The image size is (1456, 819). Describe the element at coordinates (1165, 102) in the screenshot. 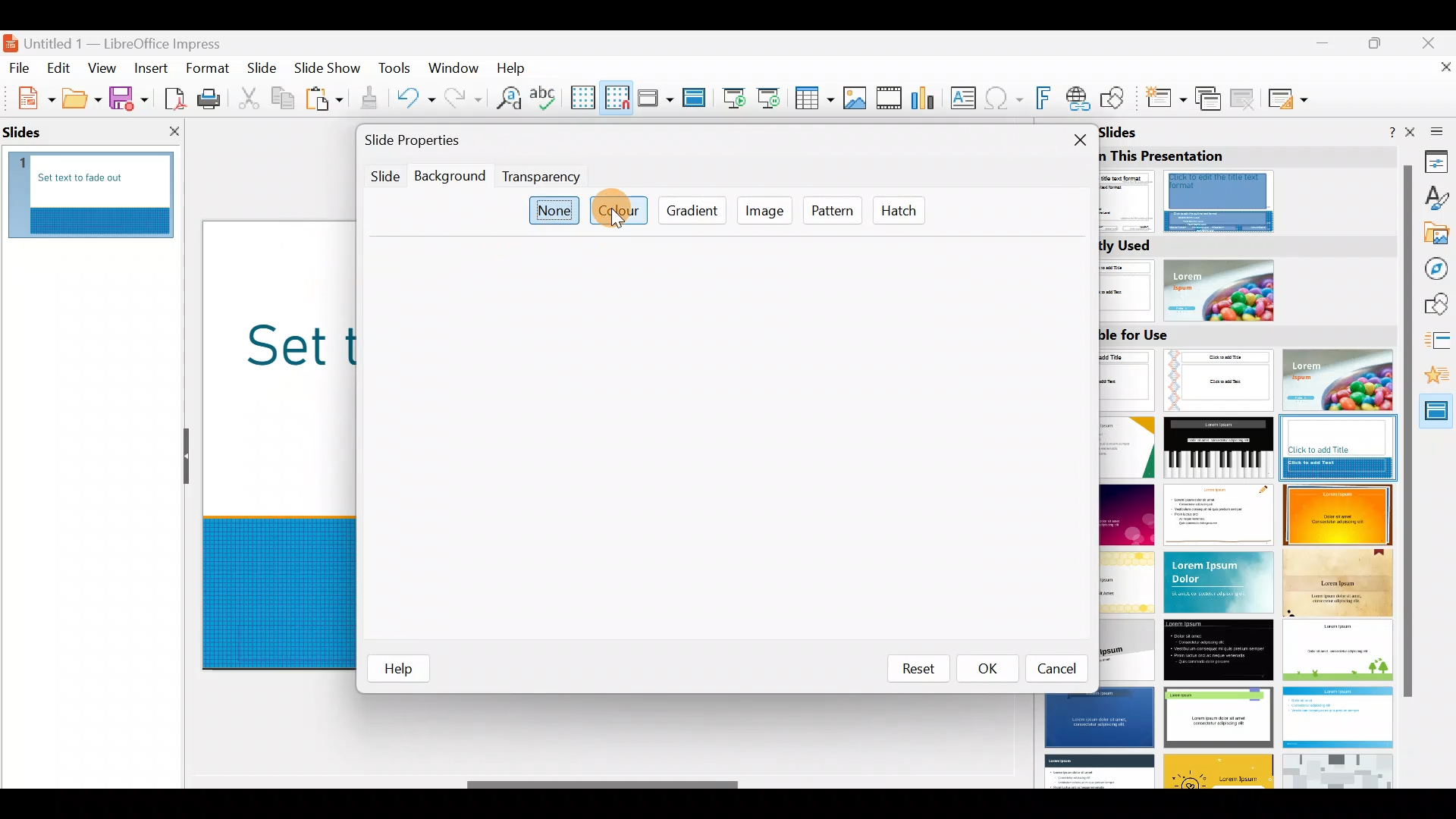

I see `New slide` at that location.